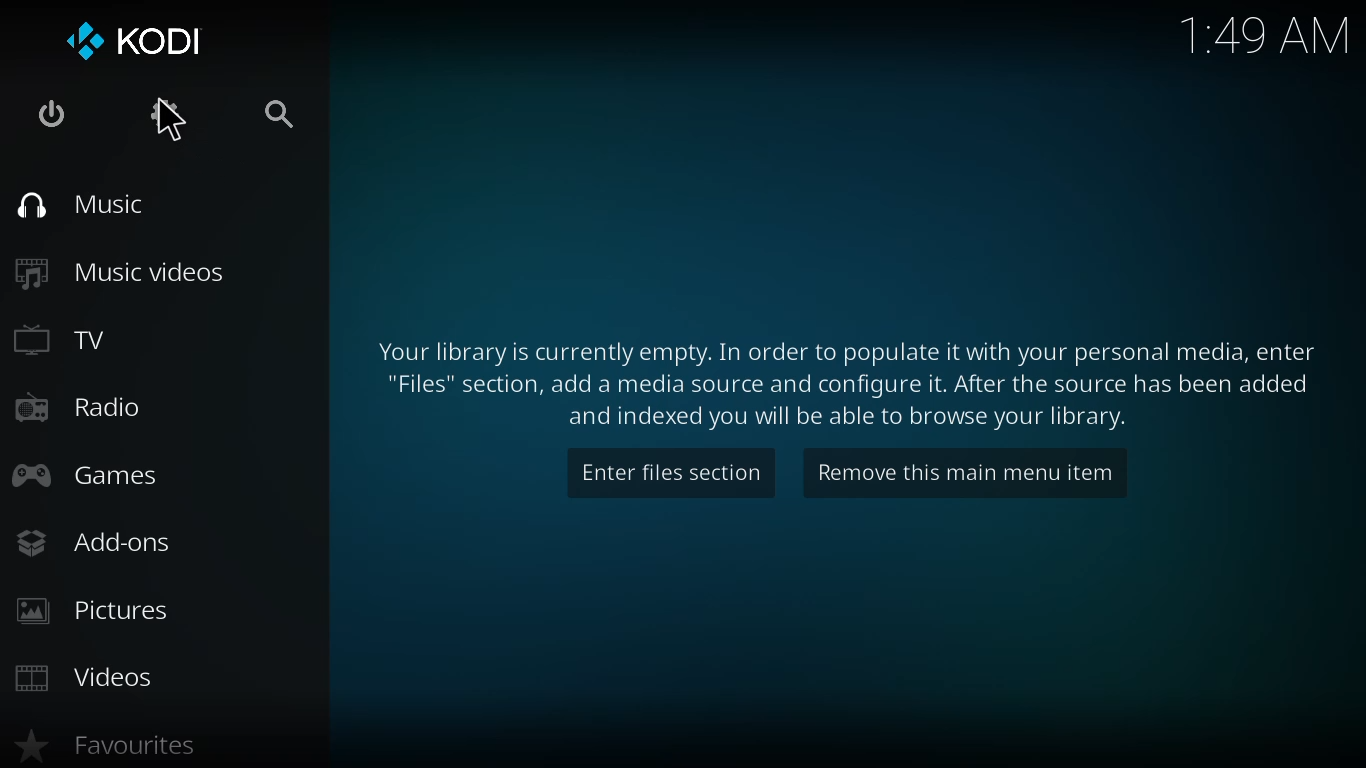  Describe the element at coordinates (50, 114) in the screenshot. I see `power` at that location.